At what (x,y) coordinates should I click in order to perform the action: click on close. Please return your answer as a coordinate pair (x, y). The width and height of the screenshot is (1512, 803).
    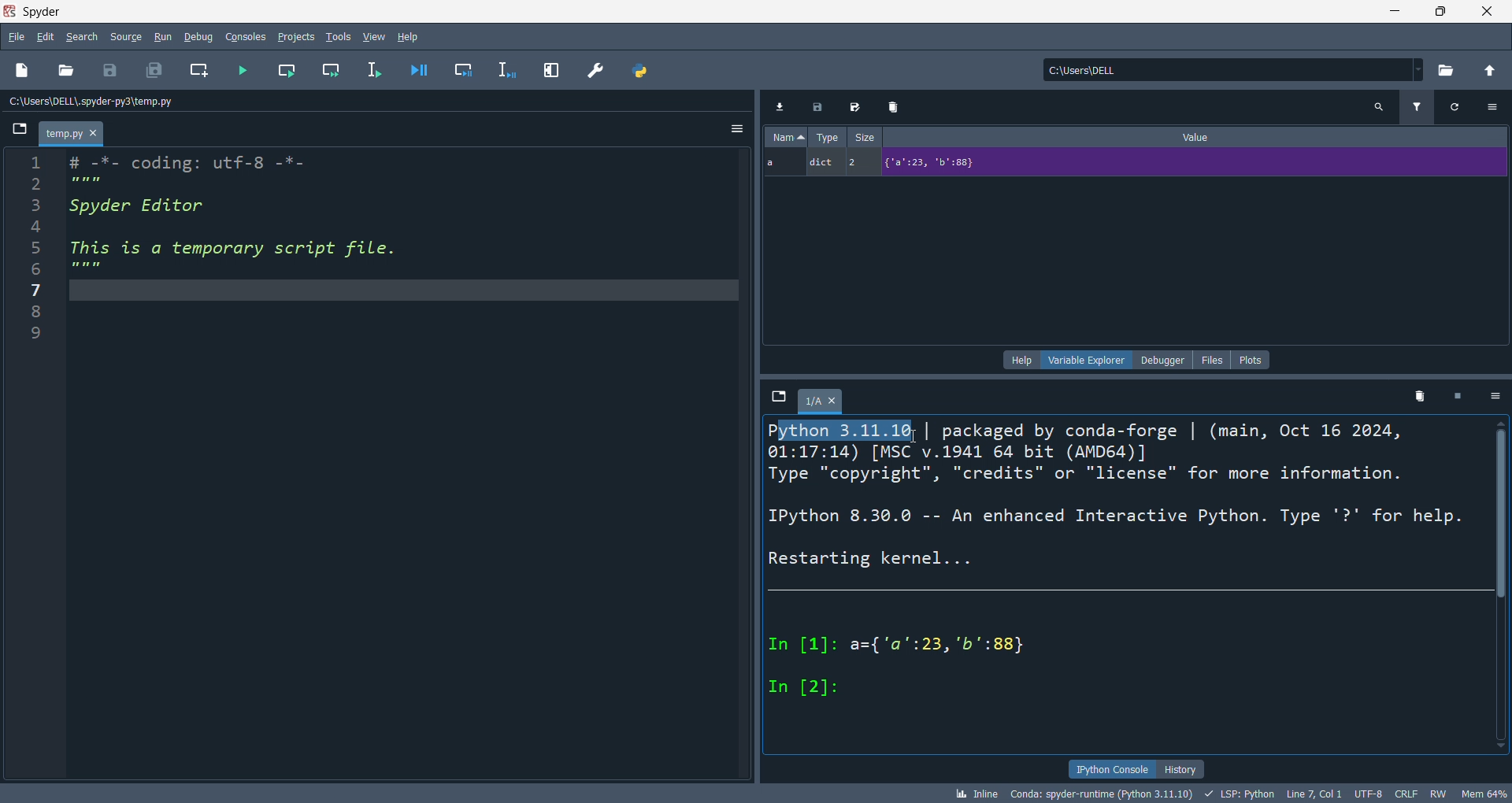
    Looking at the image, I should click on (1485, 13).